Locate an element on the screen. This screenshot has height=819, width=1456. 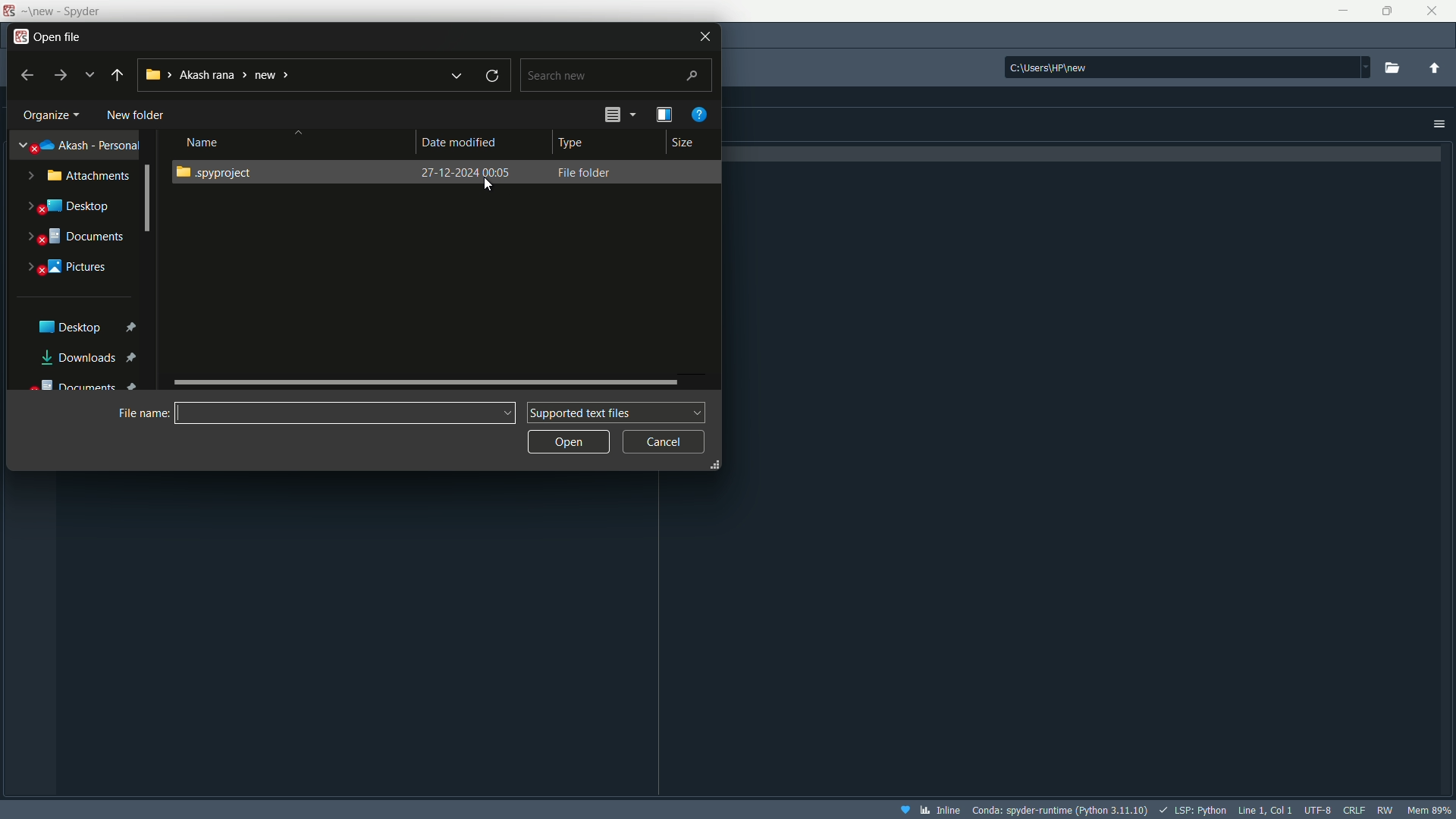
interpreter is located at coordinates (1061, 810).